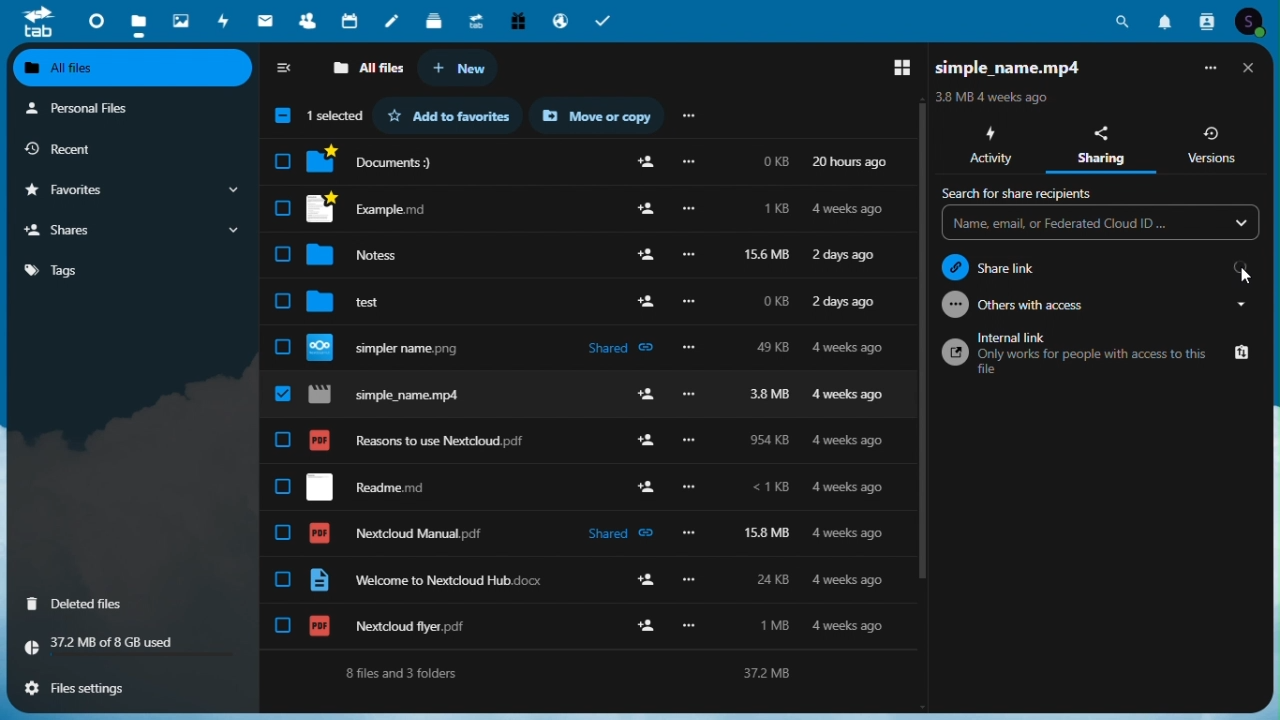 The image size is (1280, 720). I want to click on Calendar, so click(351, 21).